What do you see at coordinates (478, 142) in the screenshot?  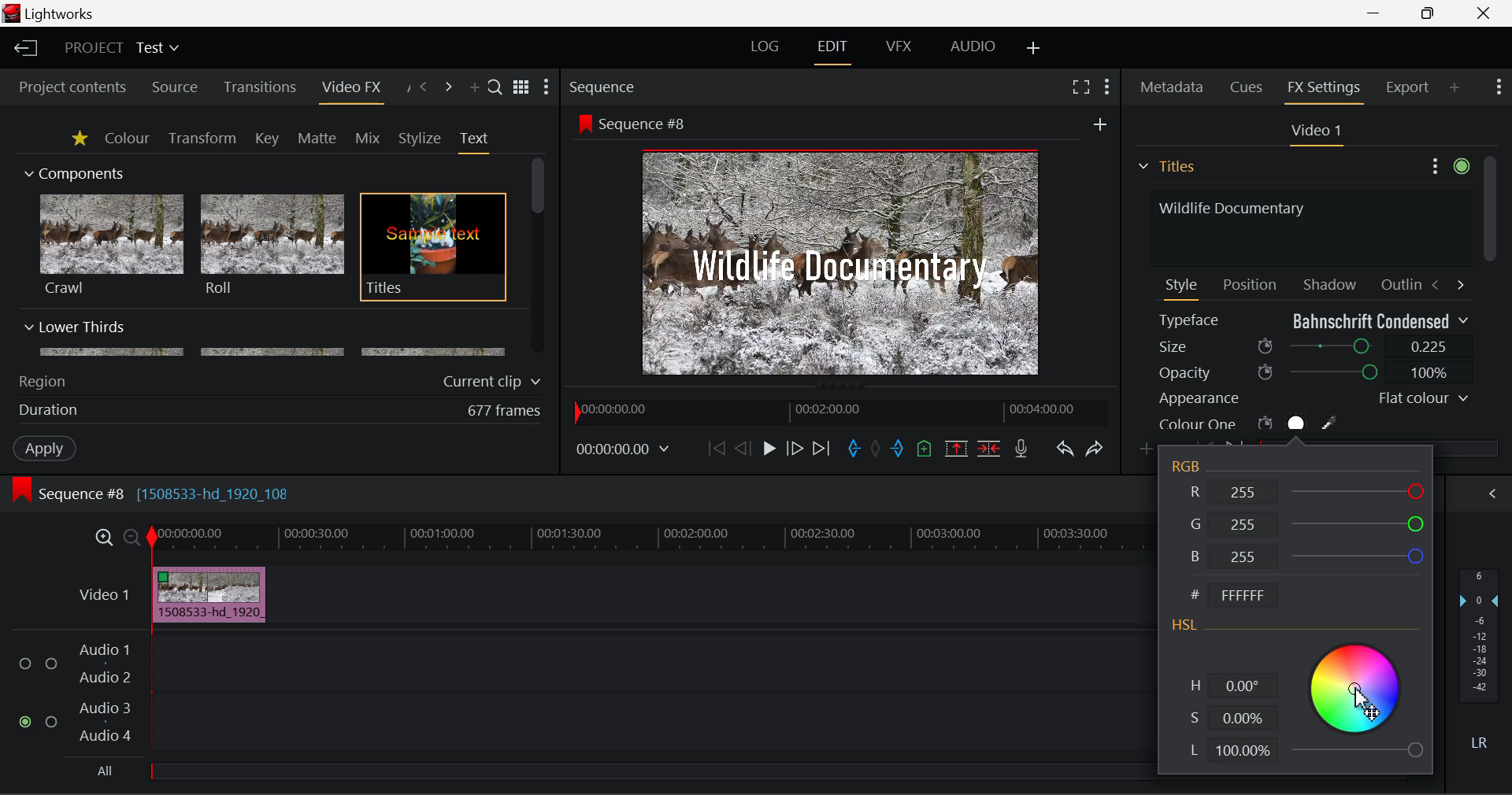 I see `Text Tab Open` at bounding box center [478, 142].